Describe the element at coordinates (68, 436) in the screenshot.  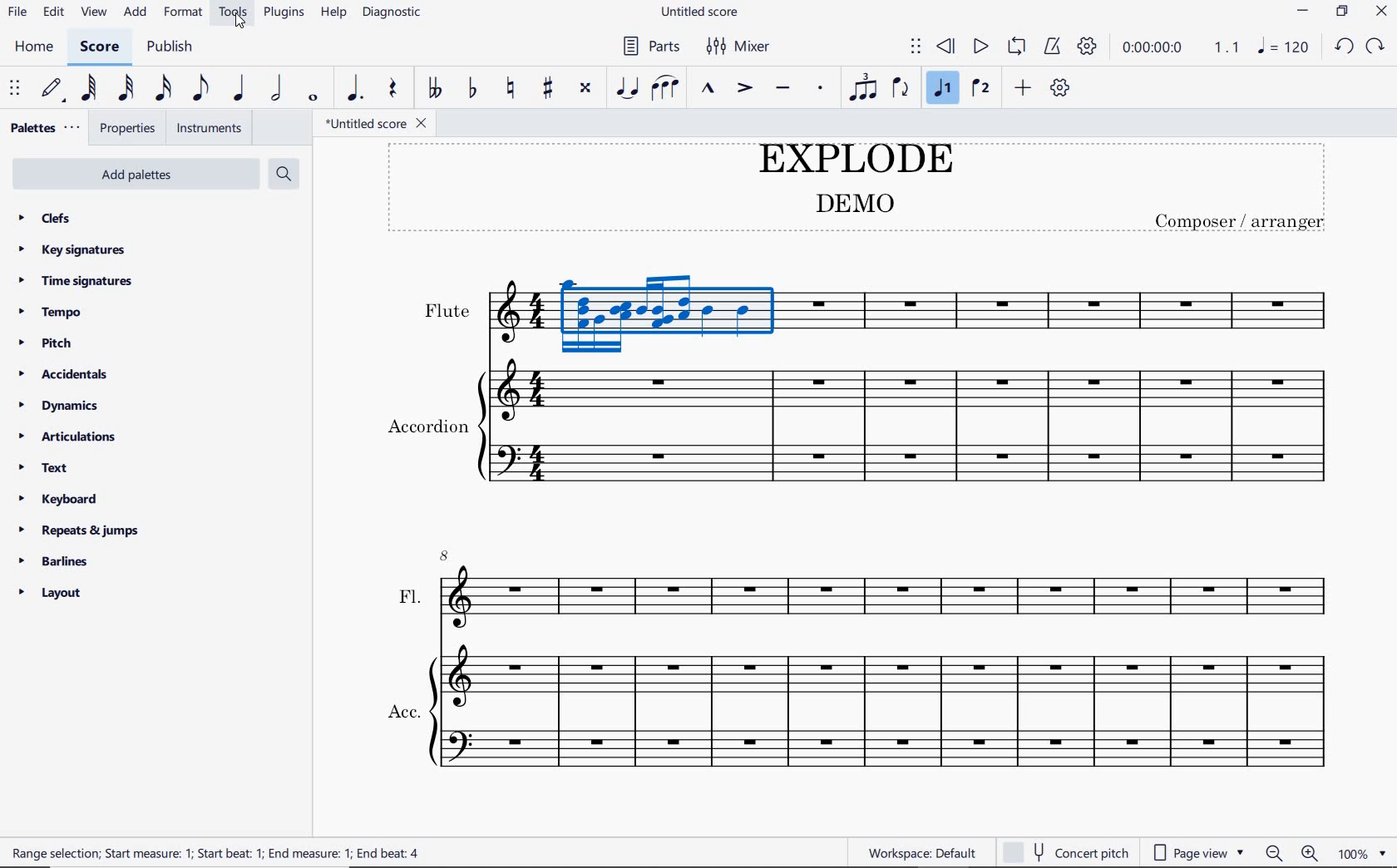
I see `articulations` at that location.